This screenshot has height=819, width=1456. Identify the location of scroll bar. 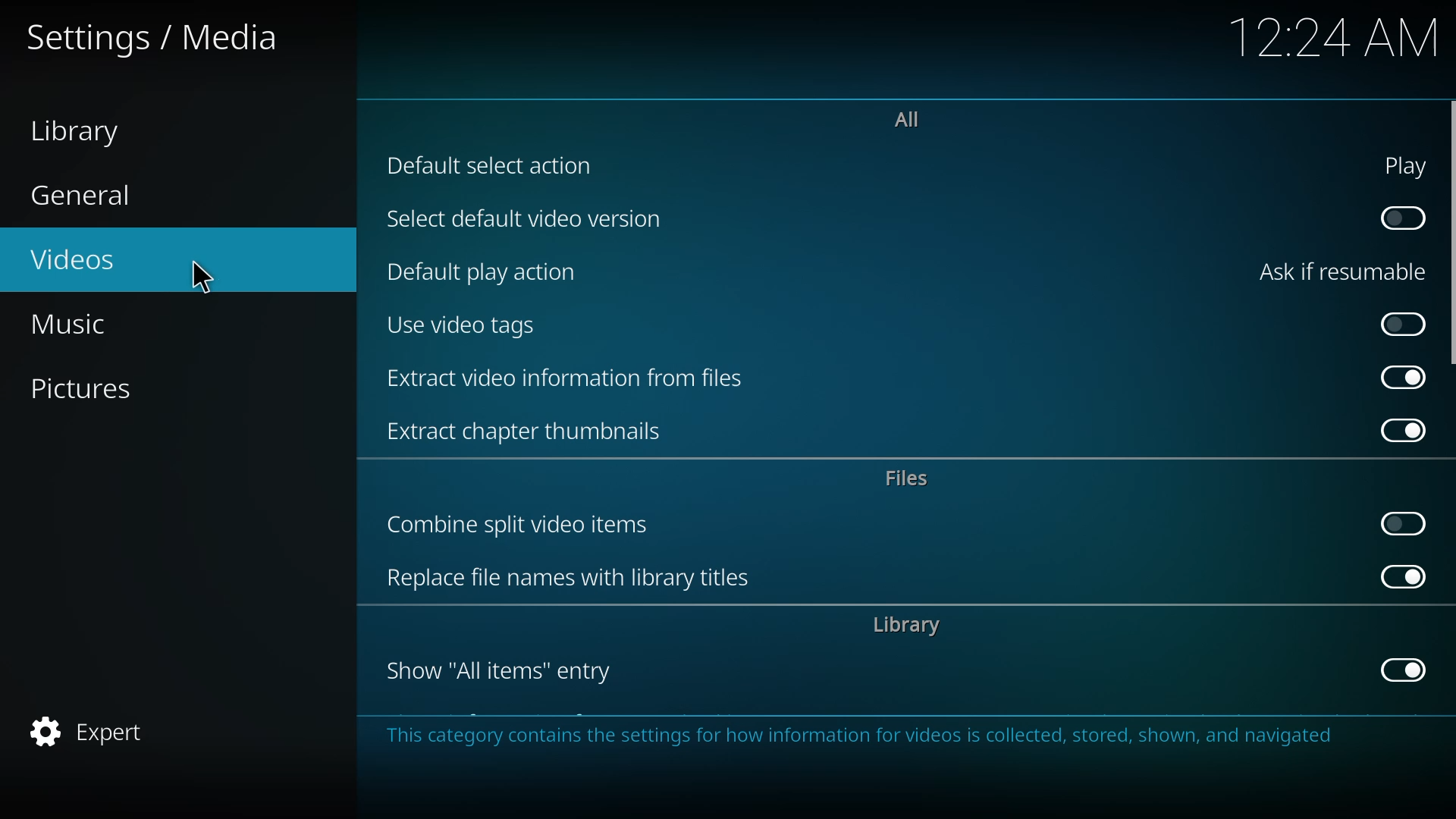
(1454, 231).